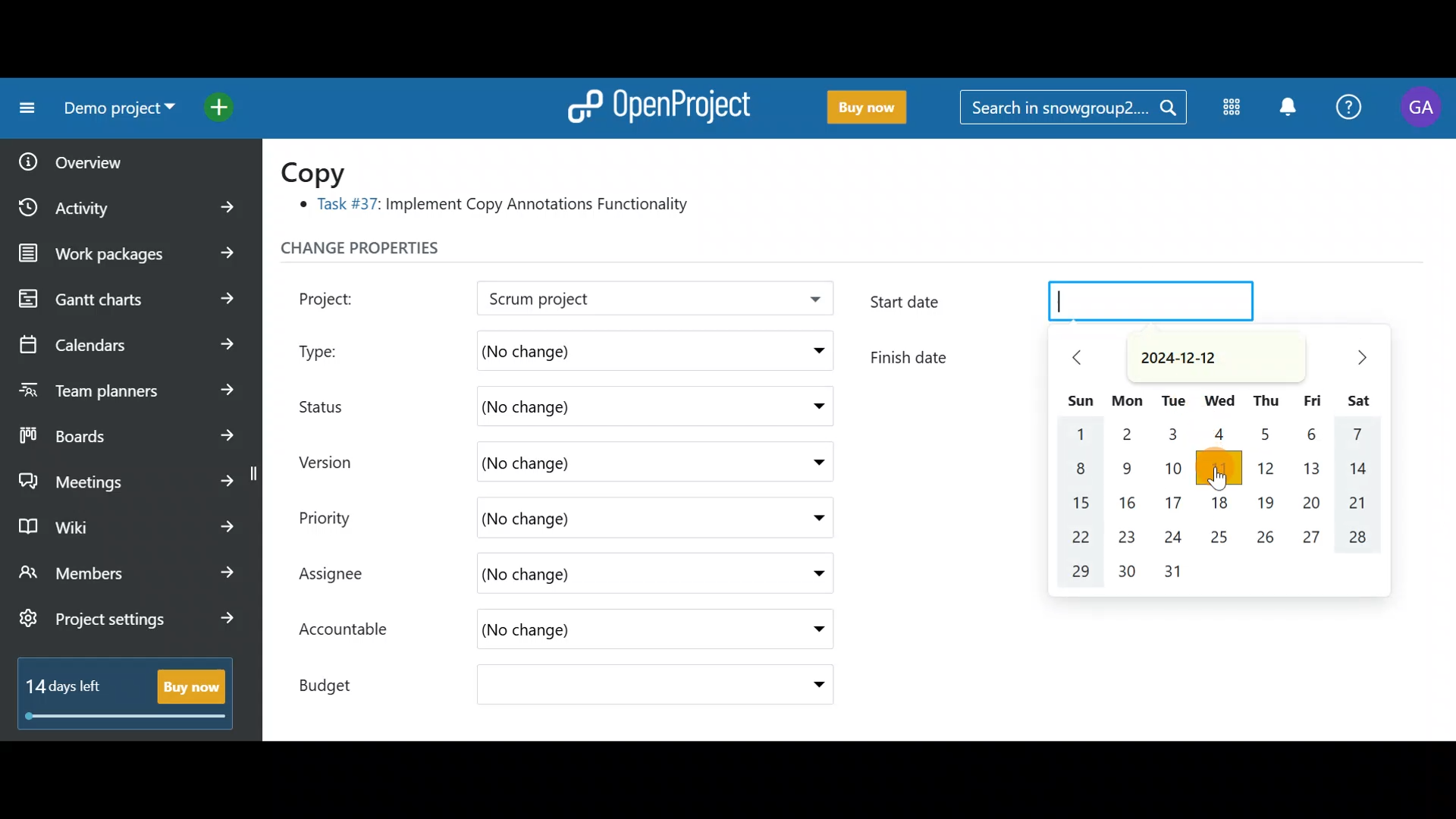 The width and height of the screenshot is (1456, 819). Describe the element at coordinates (131, 202) in the screenshot. I see `Activity` at that location.